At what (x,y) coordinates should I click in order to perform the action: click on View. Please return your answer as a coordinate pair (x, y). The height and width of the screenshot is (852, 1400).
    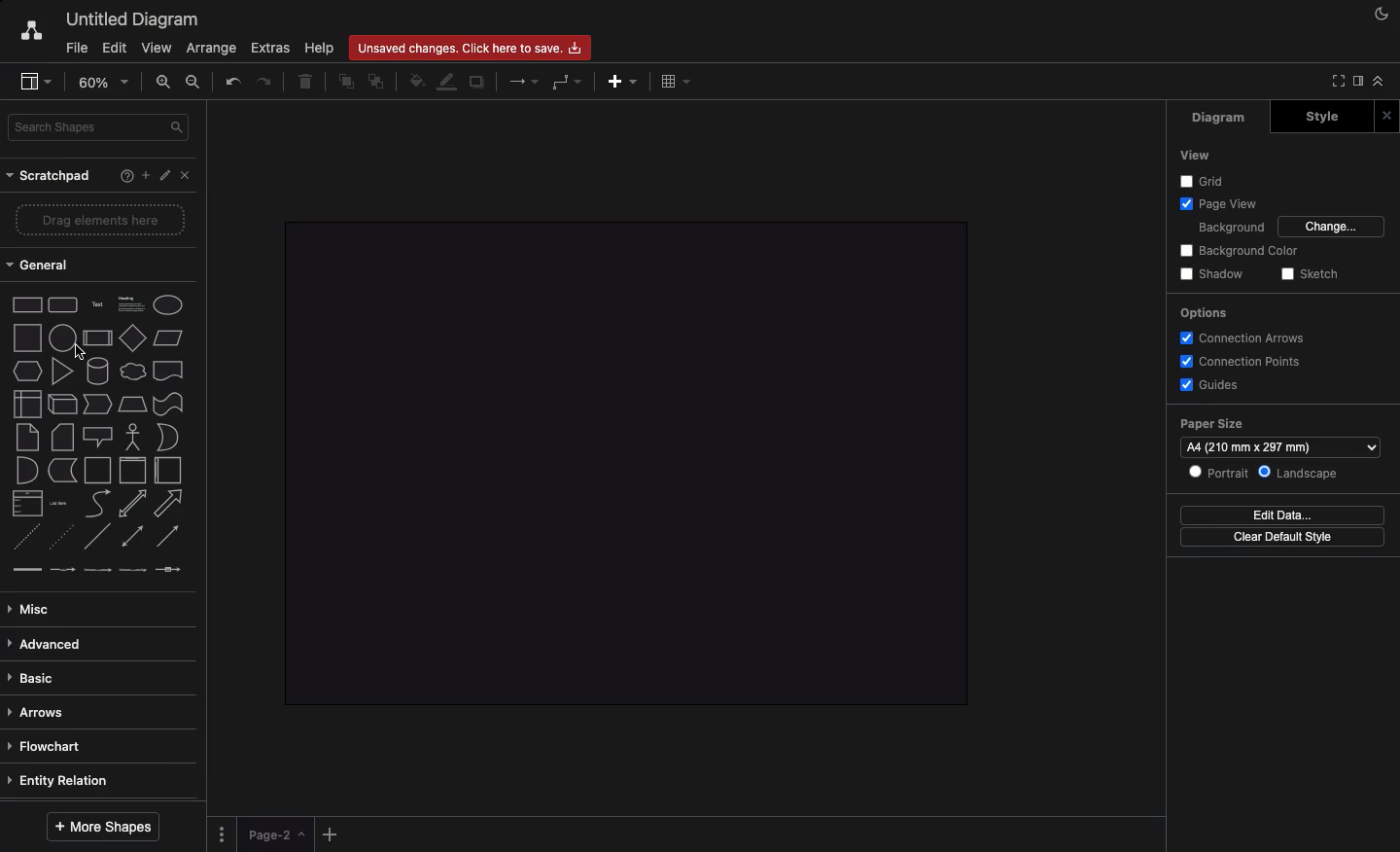
    Looking at the image, I should click on (157, 48).